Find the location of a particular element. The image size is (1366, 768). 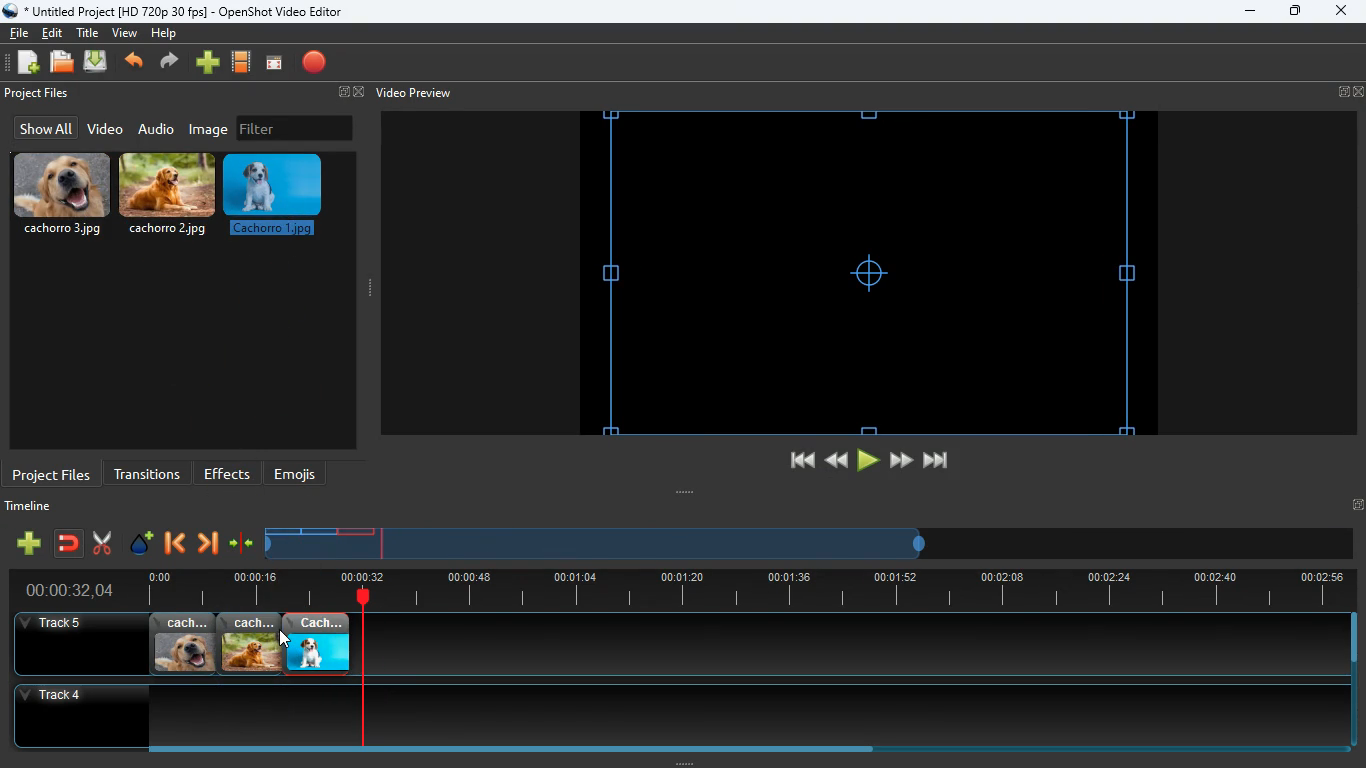

show all is located at coordinates (43, 128).